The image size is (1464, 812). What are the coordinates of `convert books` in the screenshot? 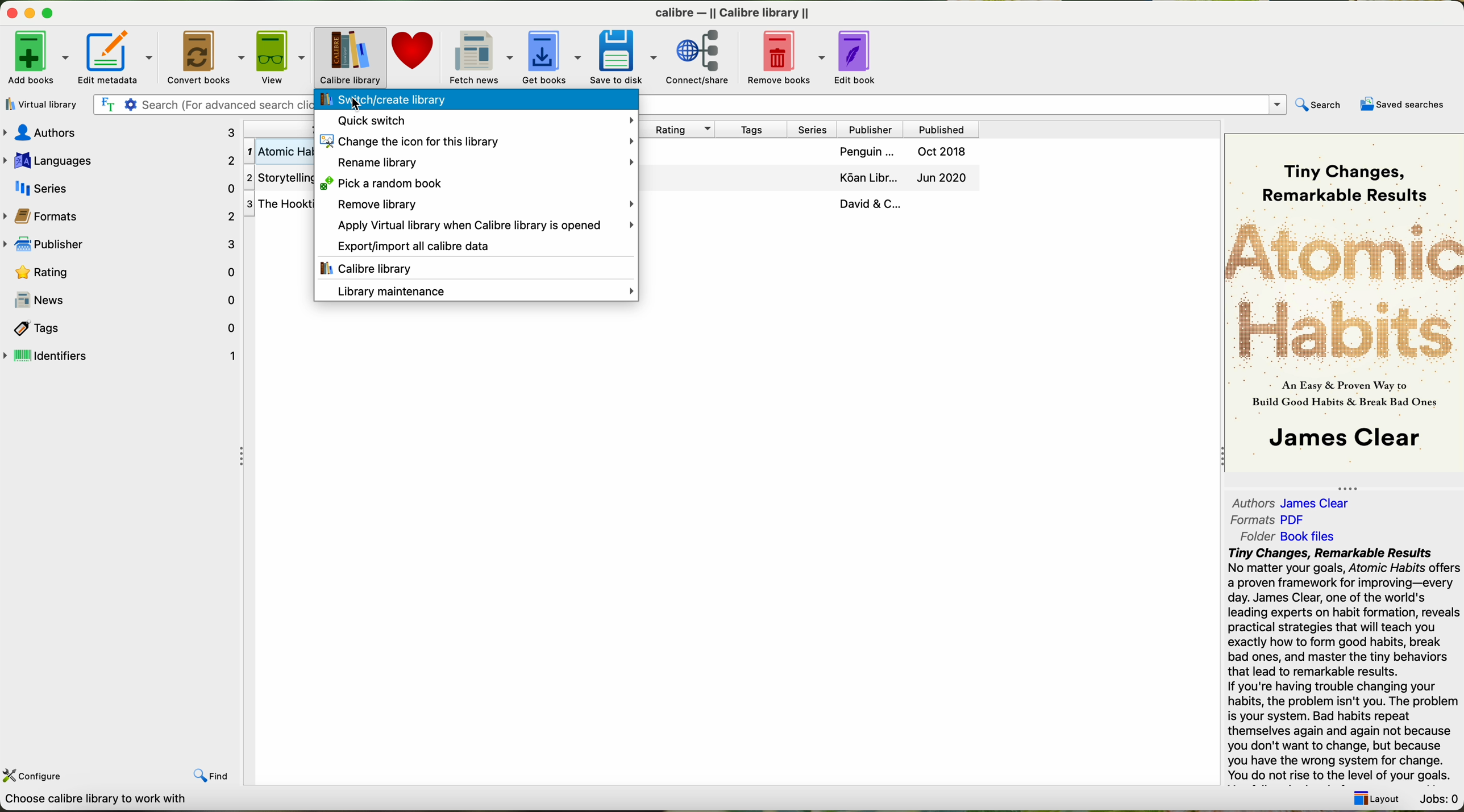 It's located at (207, 57).